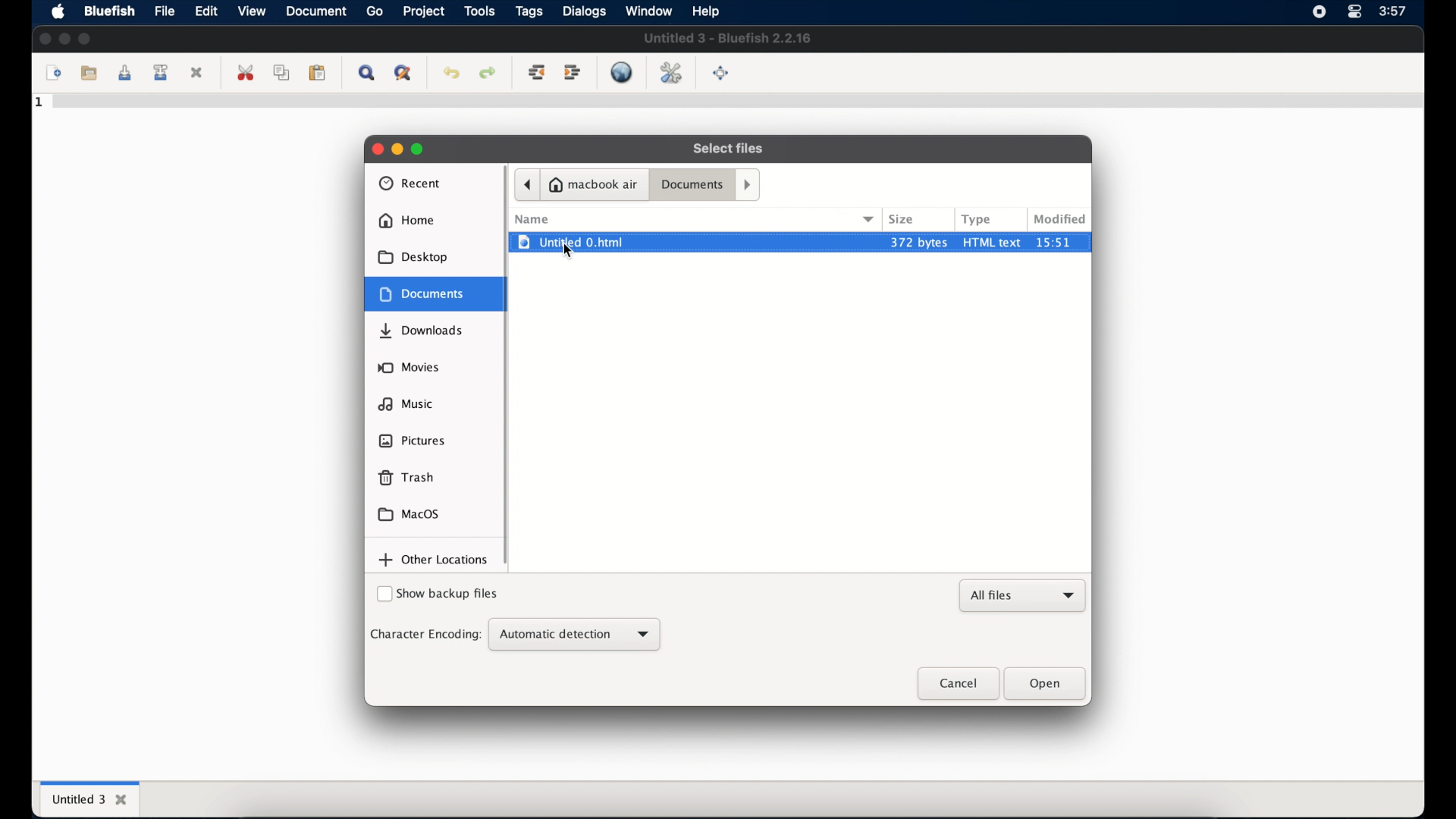  What do you see at coordinates (532, 219) in the screenshot?
I see `name` at bounding box center [532, 219].